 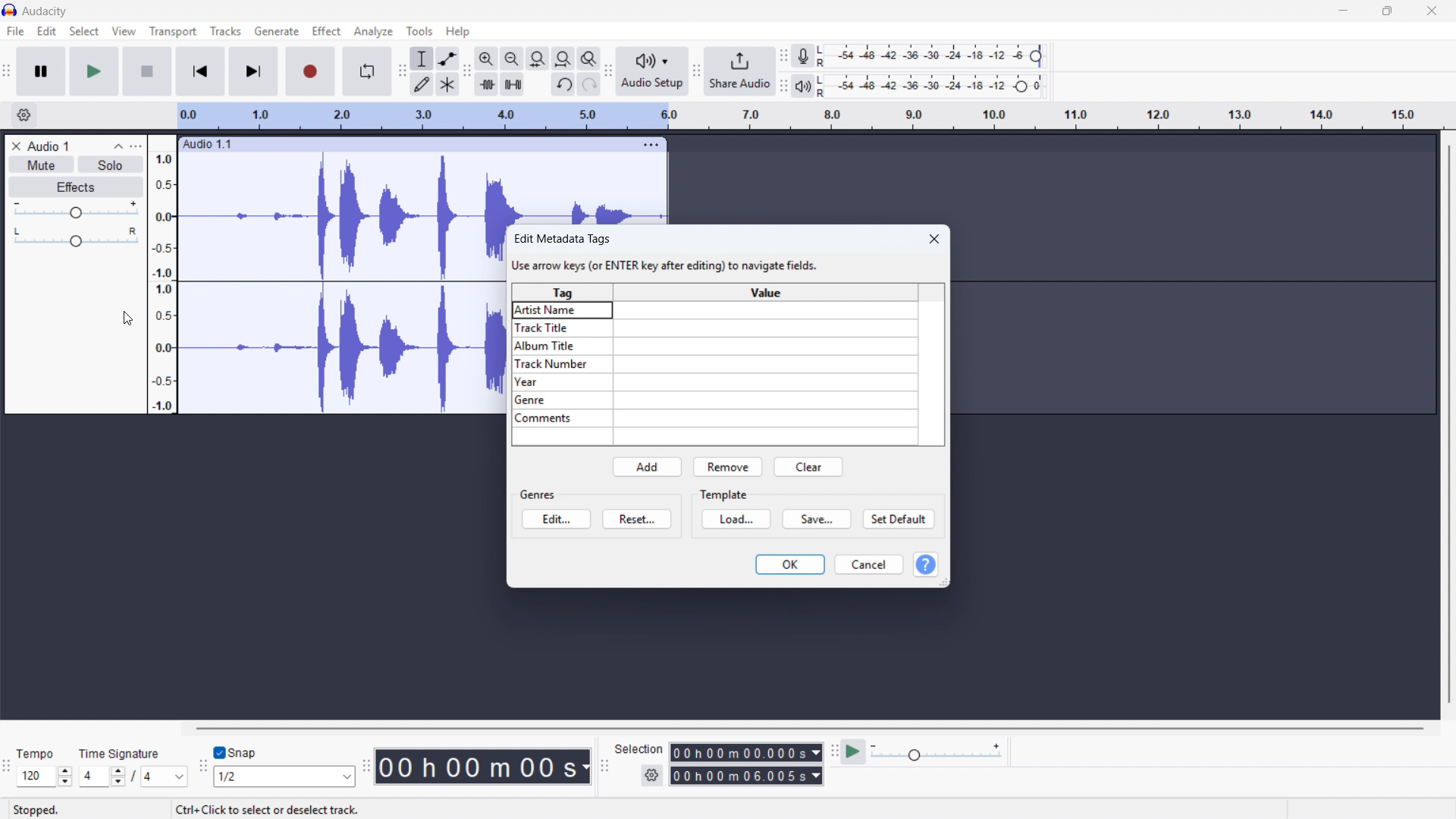 What do you see at coordinates (741, 71) in the screenshot?
I see `share audio` at bounding box center [741, 71].